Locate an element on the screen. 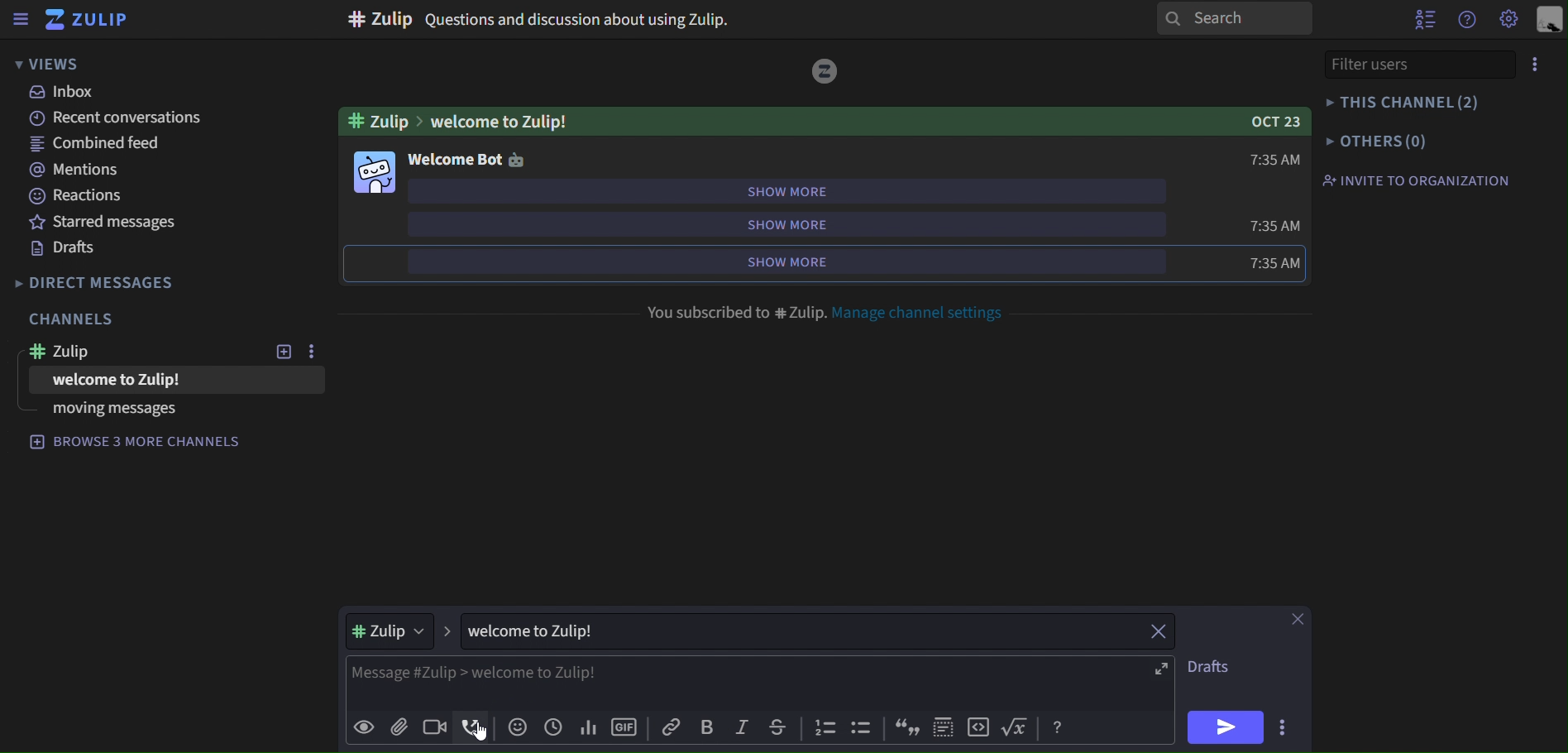 Image resolution: width=1568 pixels, height=753 pixels. recent conversations is located at coordinates (117, 119).